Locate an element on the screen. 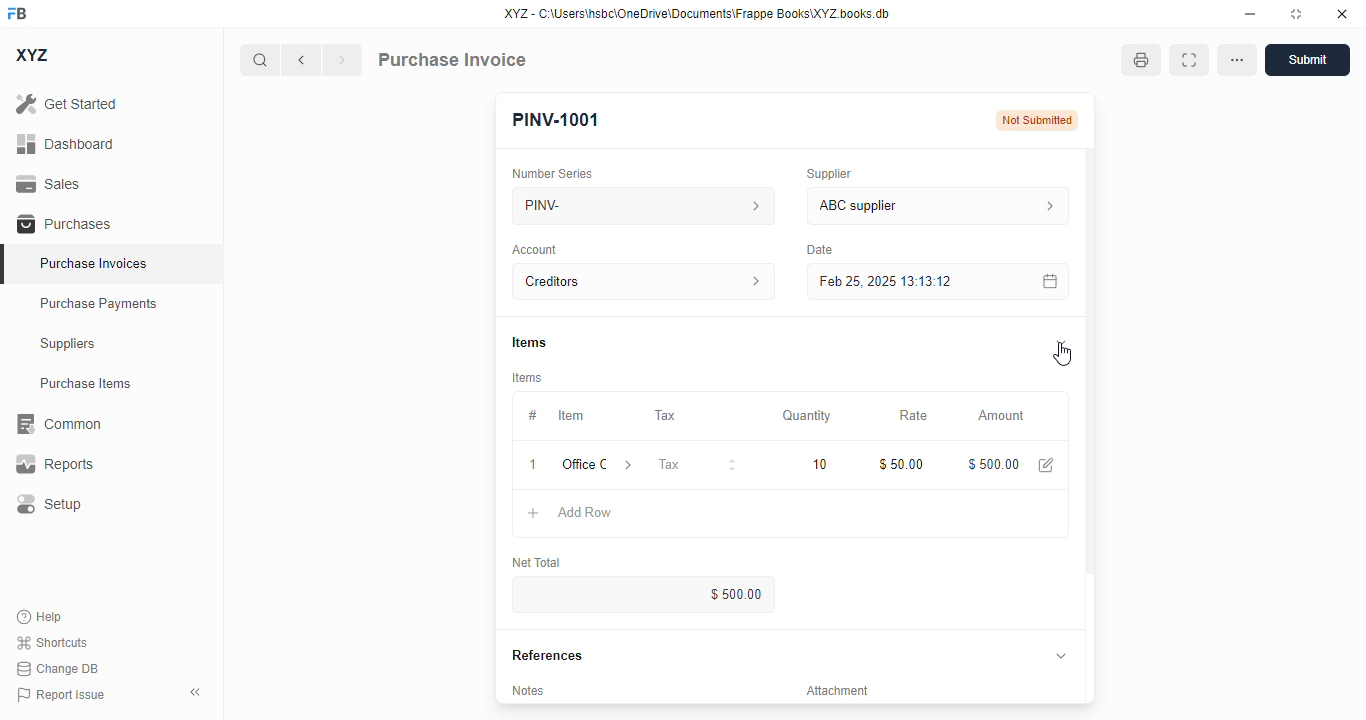  add is located at coordinates (533, 512).